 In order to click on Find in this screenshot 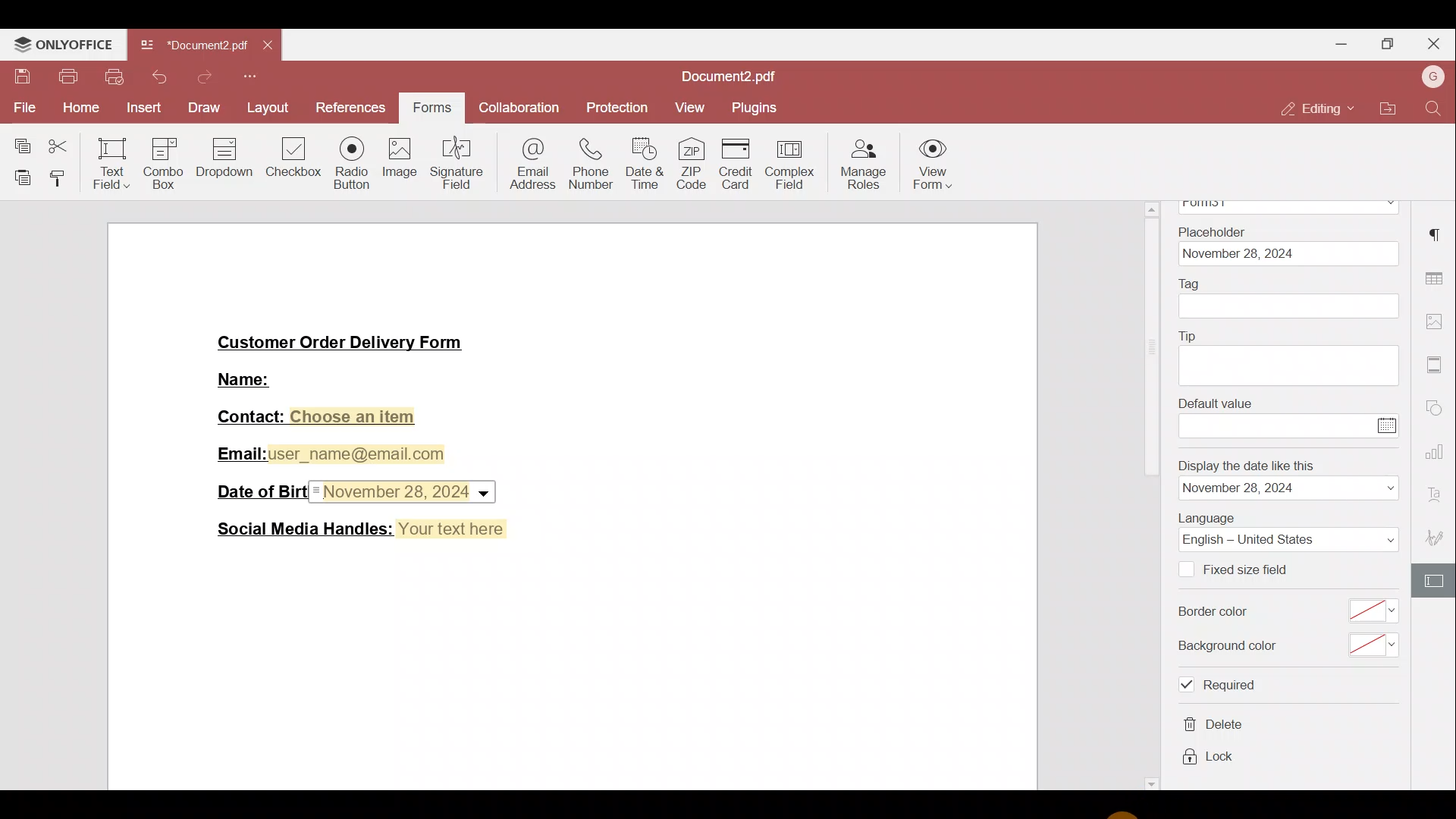, I will do `click(1434, 107)`.